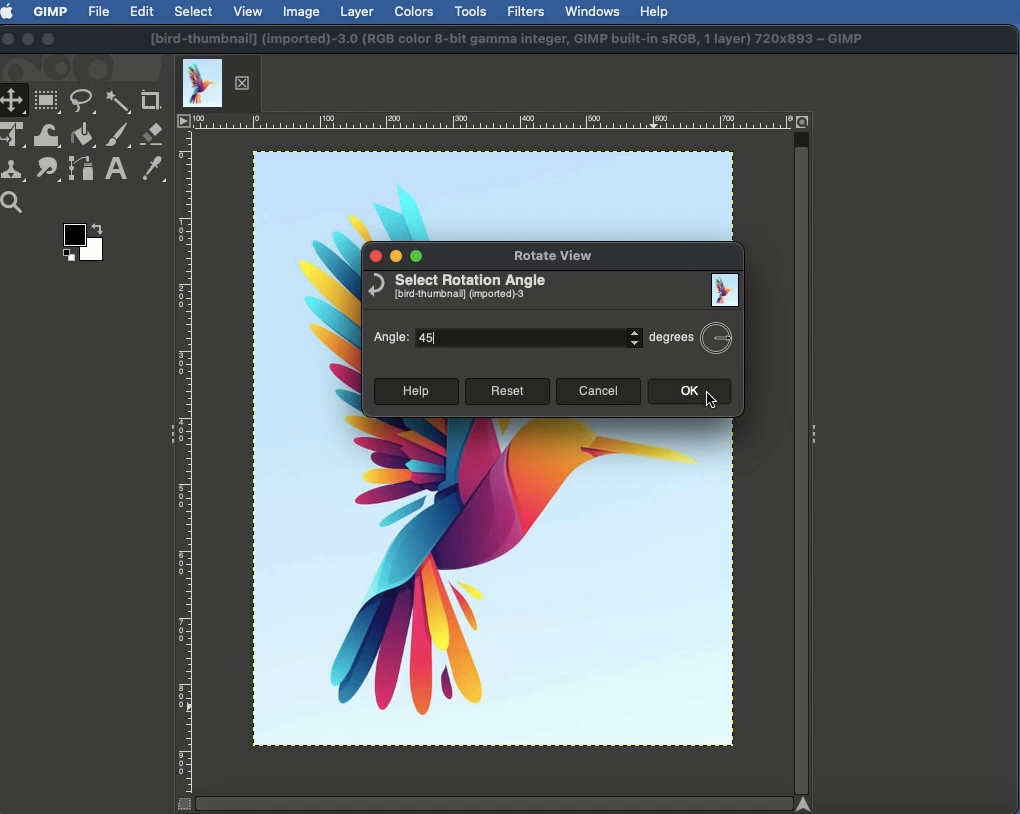  I want to click on Warp transformation, so click(48, 135).